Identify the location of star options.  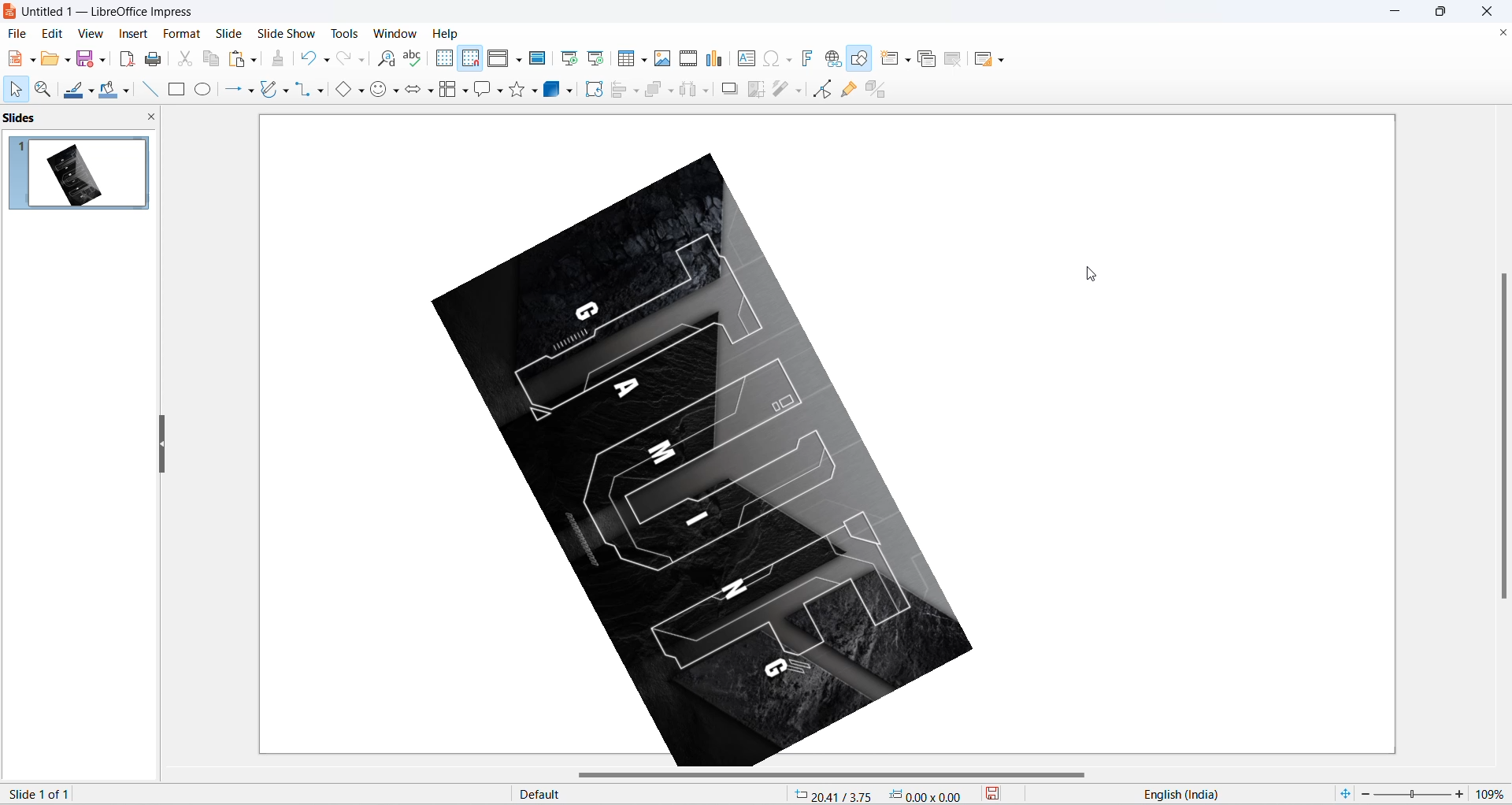
(536, 91).